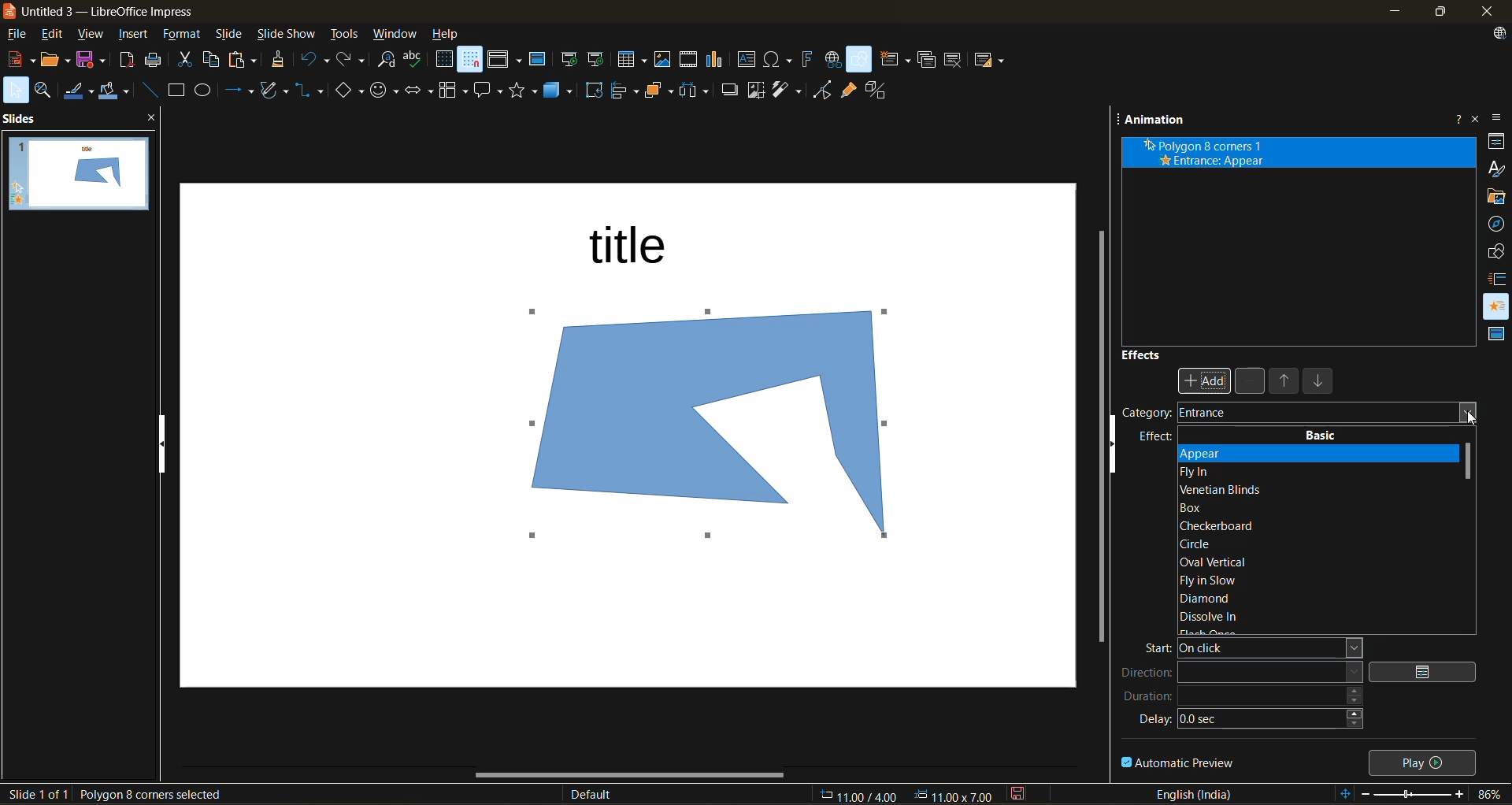  What do you see at coordinates (1180, 762) in the screenshot?
I see `automatic preview` at bounding box center [1180, 762].